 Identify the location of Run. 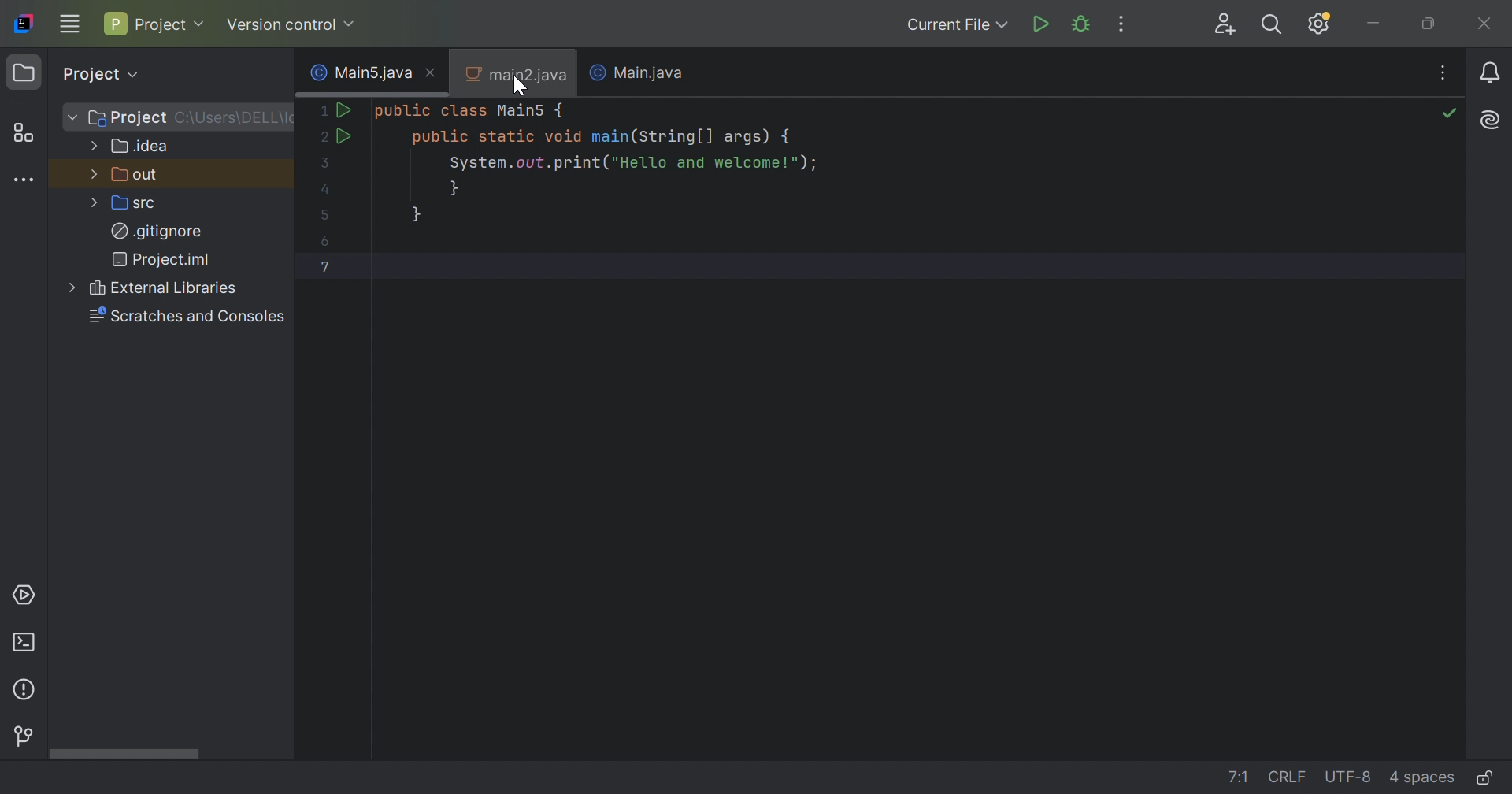
(348, 109).